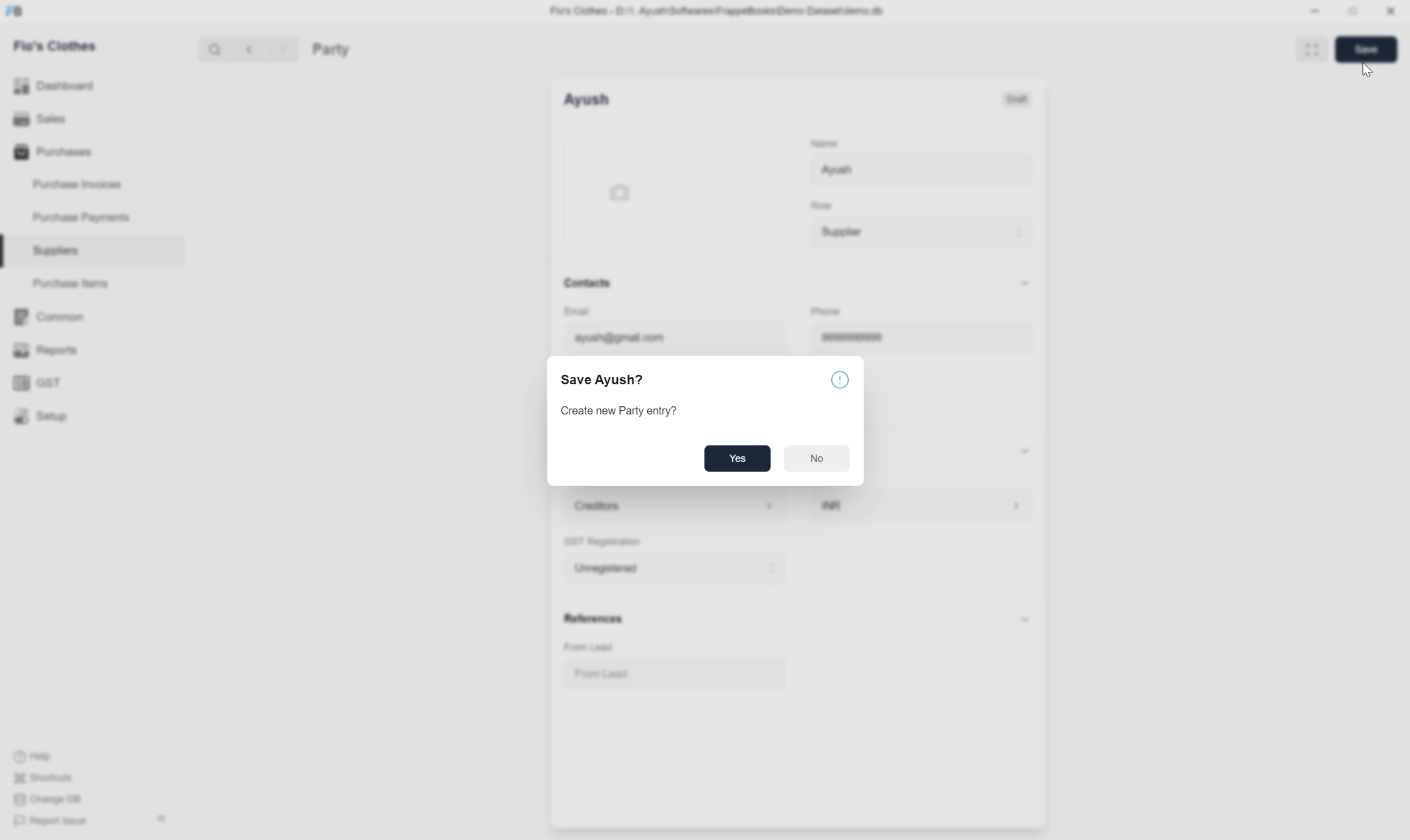 This screenshot has width=1410, height=840. Describe the element at coordinates (588, 647) in the screenshot. I see `From Lead` at that location.